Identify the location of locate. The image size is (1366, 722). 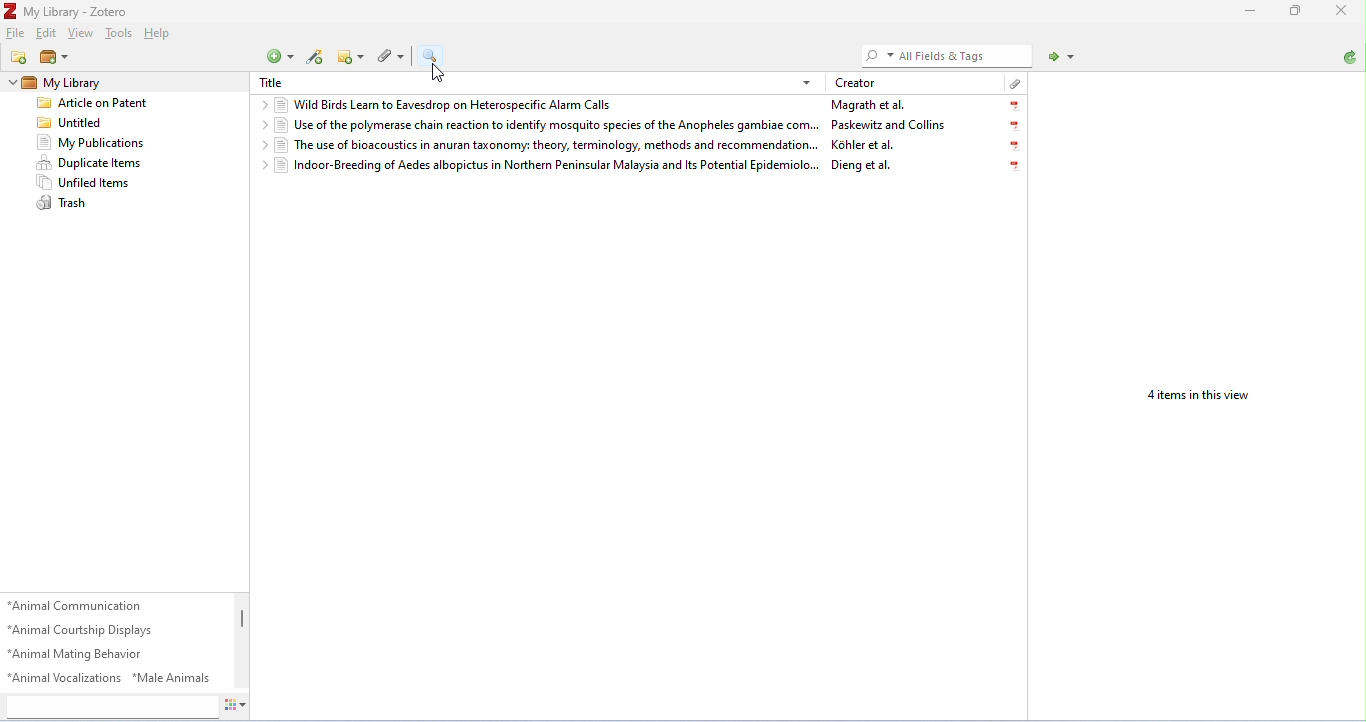
(1063, 58).